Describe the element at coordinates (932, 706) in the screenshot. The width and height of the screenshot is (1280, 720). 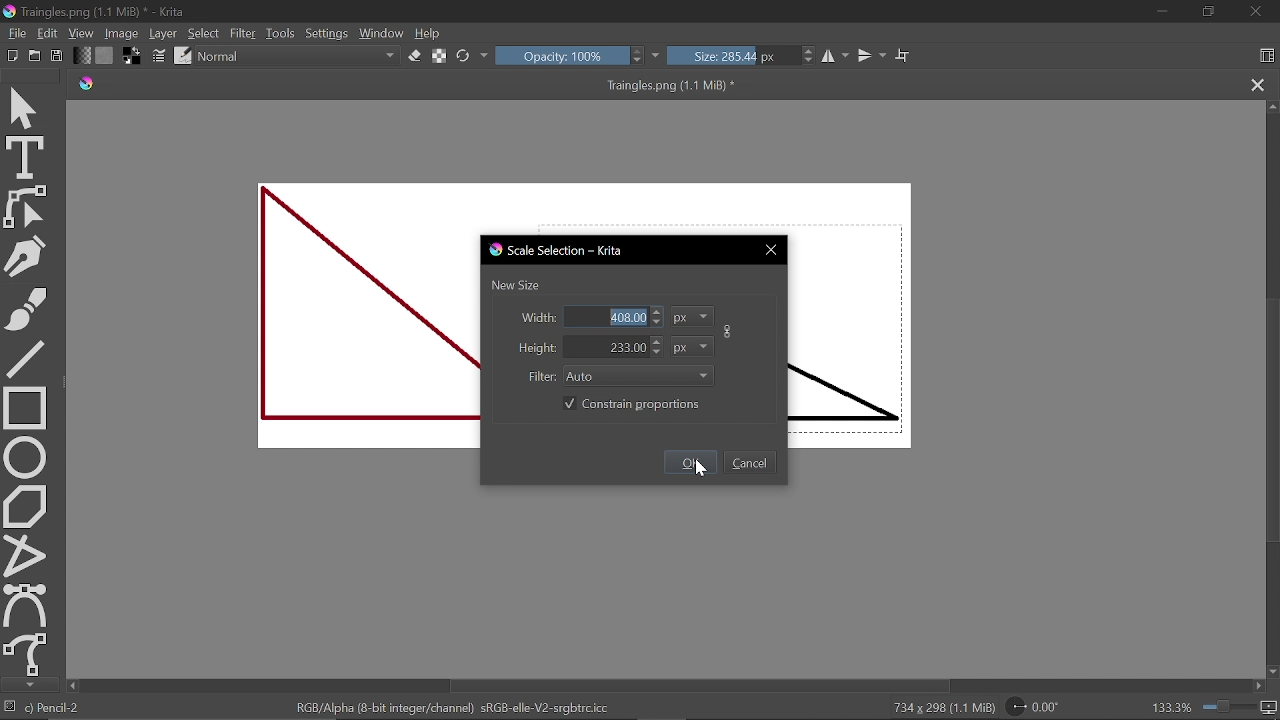
I see `734 x 298 (1.1 MiB)` at that location.